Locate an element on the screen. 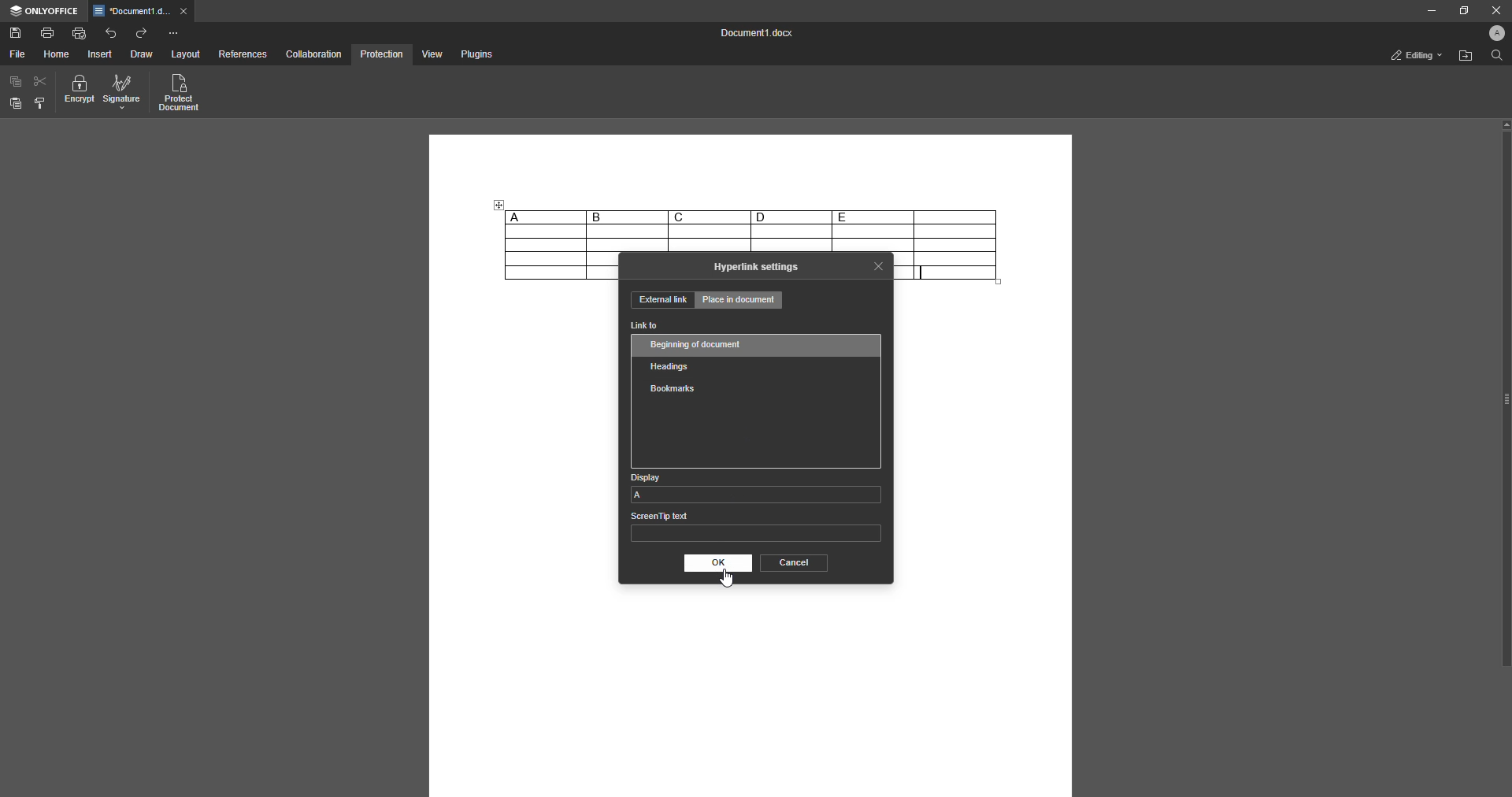 This screenshot has height=797, width=1512. Draw is located at coordinates (141, 55).